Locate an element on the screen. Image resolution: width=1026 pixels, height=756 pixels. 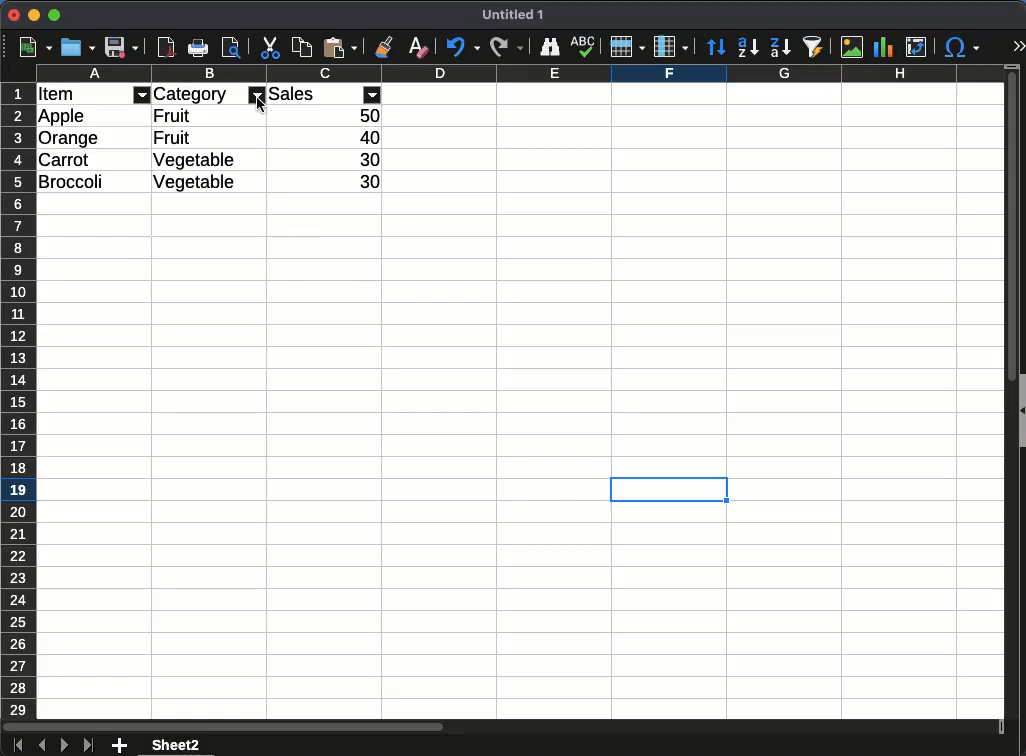
cut is located at coordinates (271, 48).